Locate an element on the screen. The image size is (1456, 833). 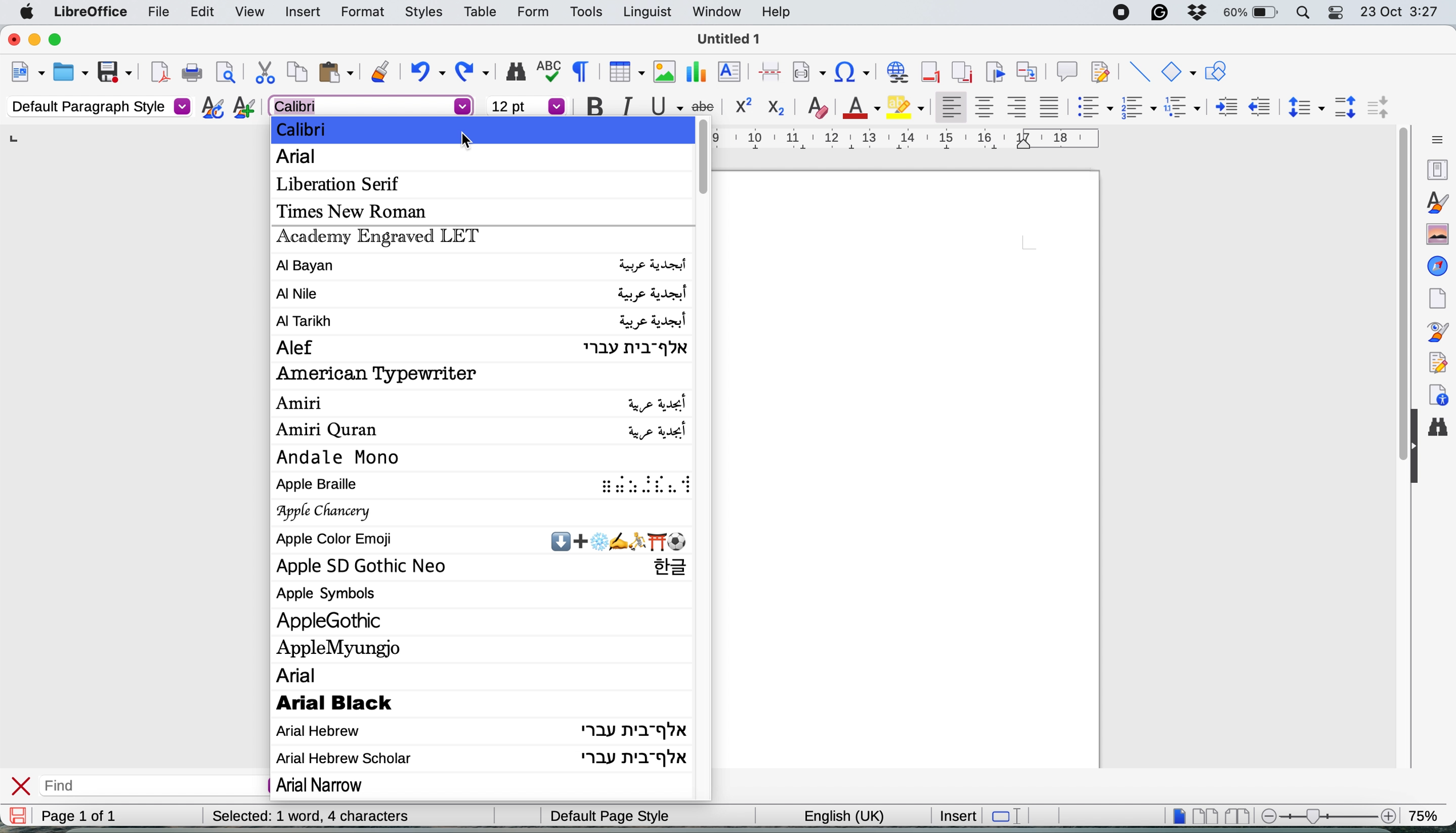
show draw function is located at coordinates (1215, 72).